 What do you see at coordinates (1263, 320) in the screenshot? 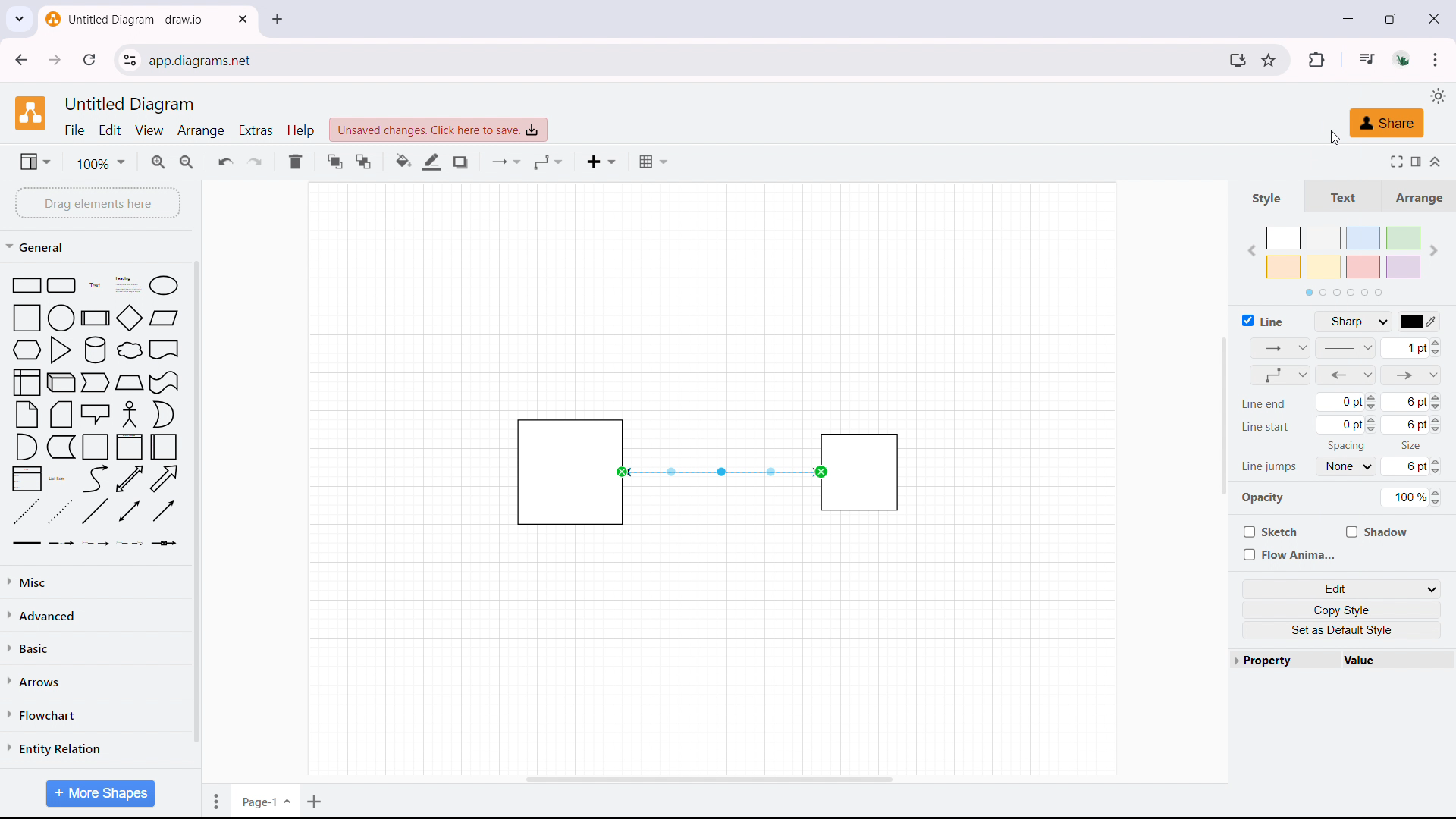
I see `line` at bounding box center [1263, 320].